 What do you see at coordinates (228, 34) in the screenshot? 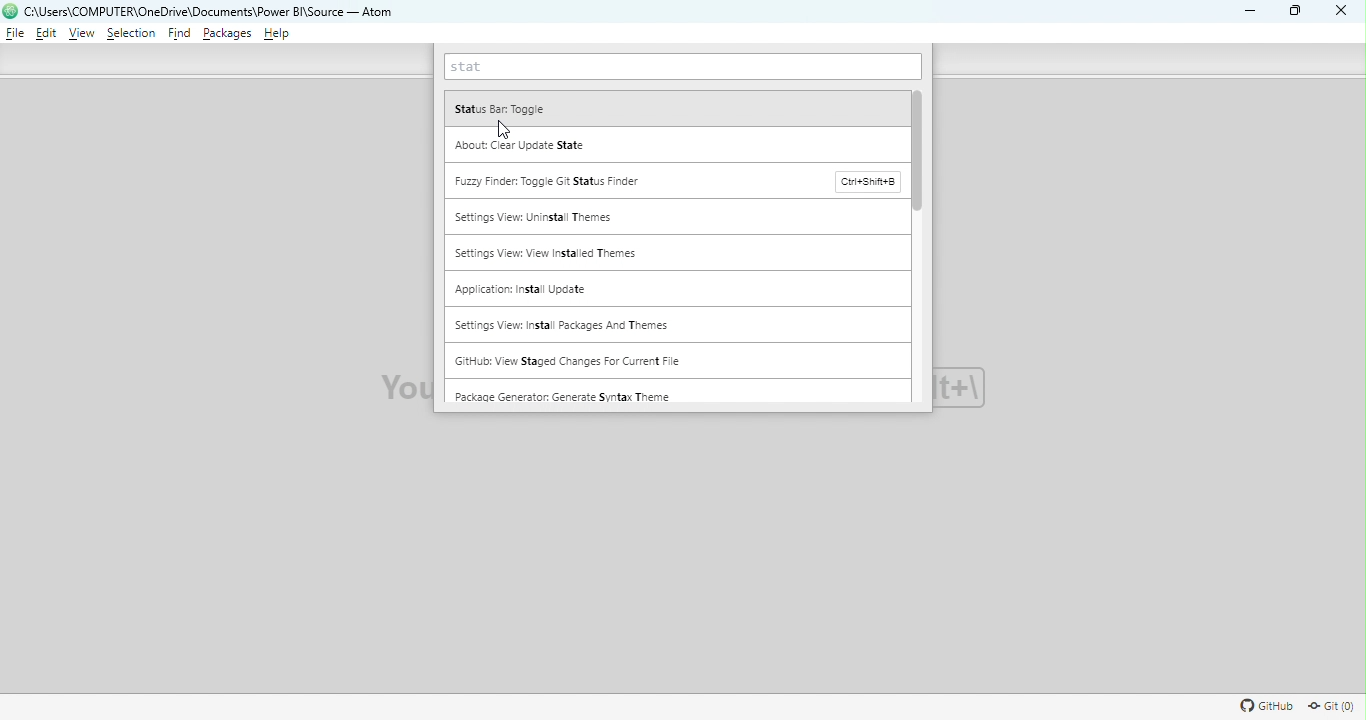
I see `Packages` at bounding box center [228, 34].